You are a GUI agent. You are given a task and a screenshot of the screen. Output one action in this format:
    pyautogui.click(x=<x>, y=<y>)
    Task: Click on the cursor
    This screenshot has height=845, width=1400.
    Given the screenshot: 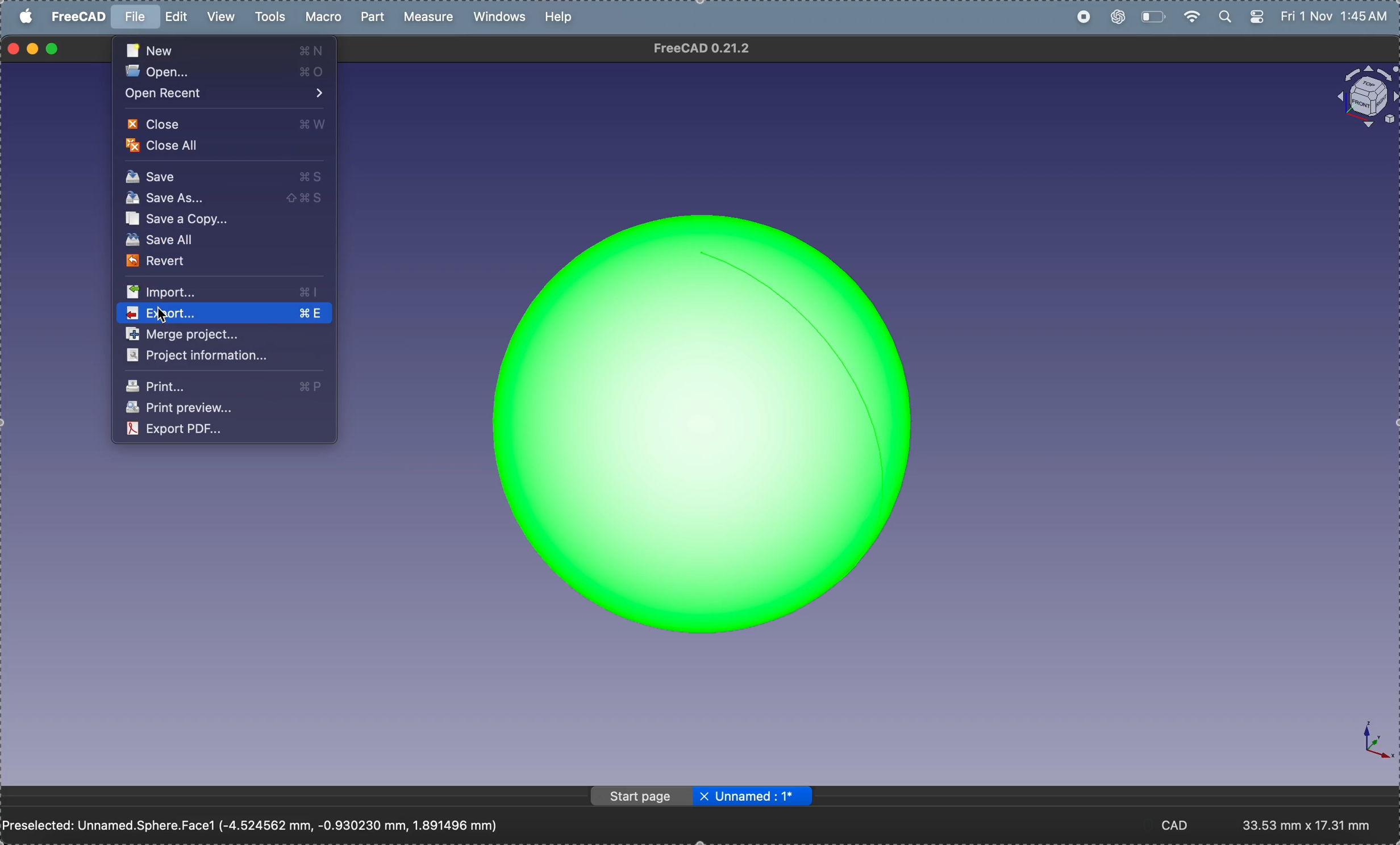 What is the action you would take?
    pyautogui.click(x=138, y=28)
    